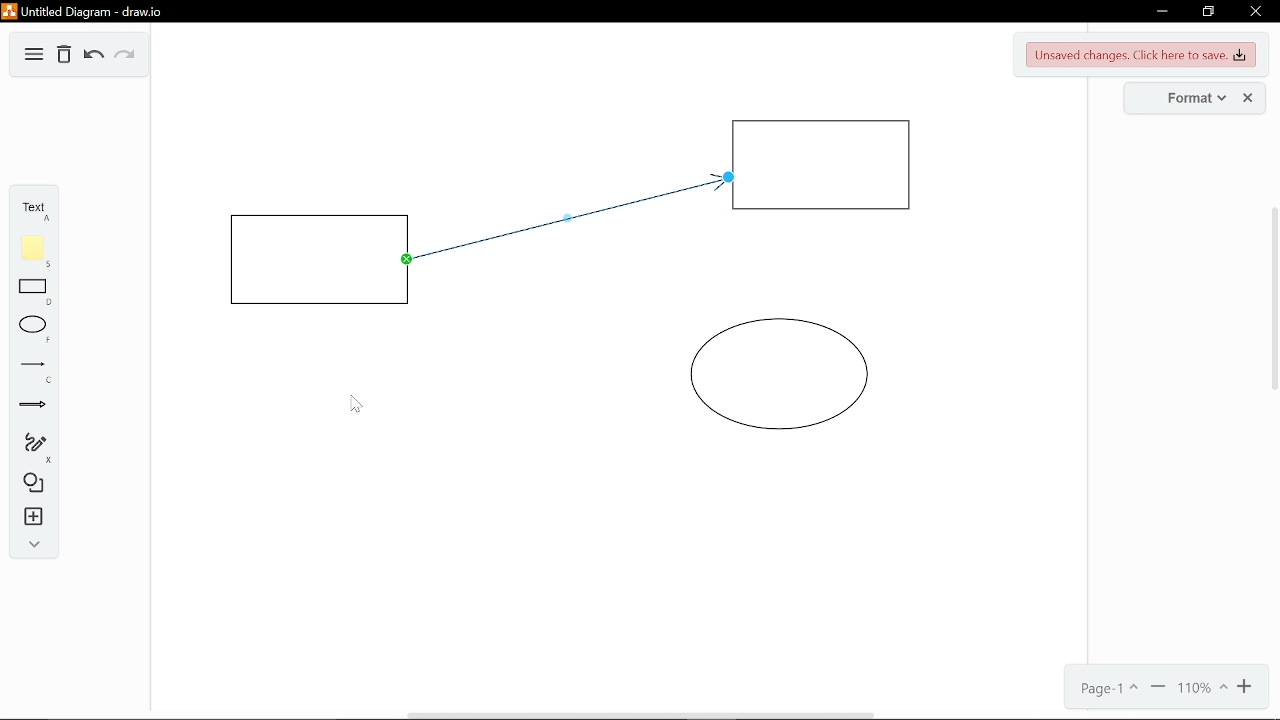 This screenshot has height=720, width=1280. Describe the element at coordinates (31, 211) in the screenshot. I see `text` at that location.